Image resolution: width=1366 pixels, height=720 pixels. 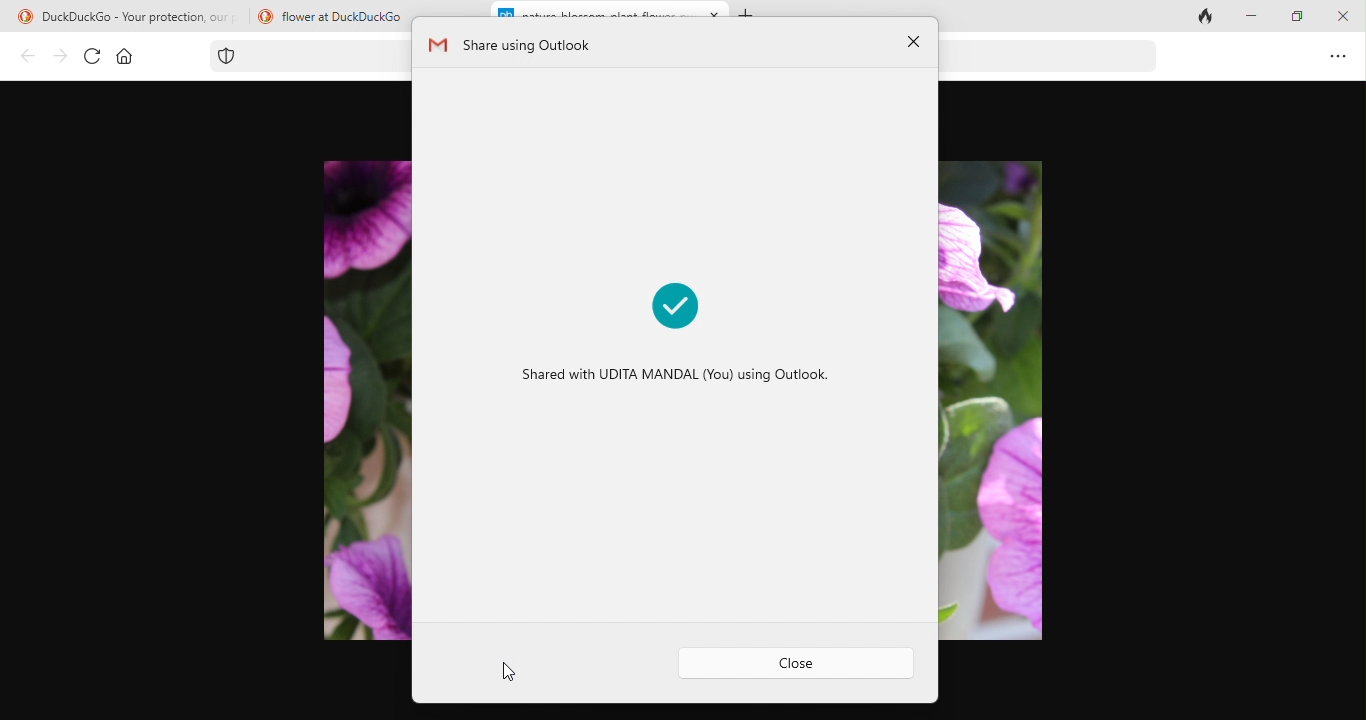 I want to click on close, so click(x=797, y=664).